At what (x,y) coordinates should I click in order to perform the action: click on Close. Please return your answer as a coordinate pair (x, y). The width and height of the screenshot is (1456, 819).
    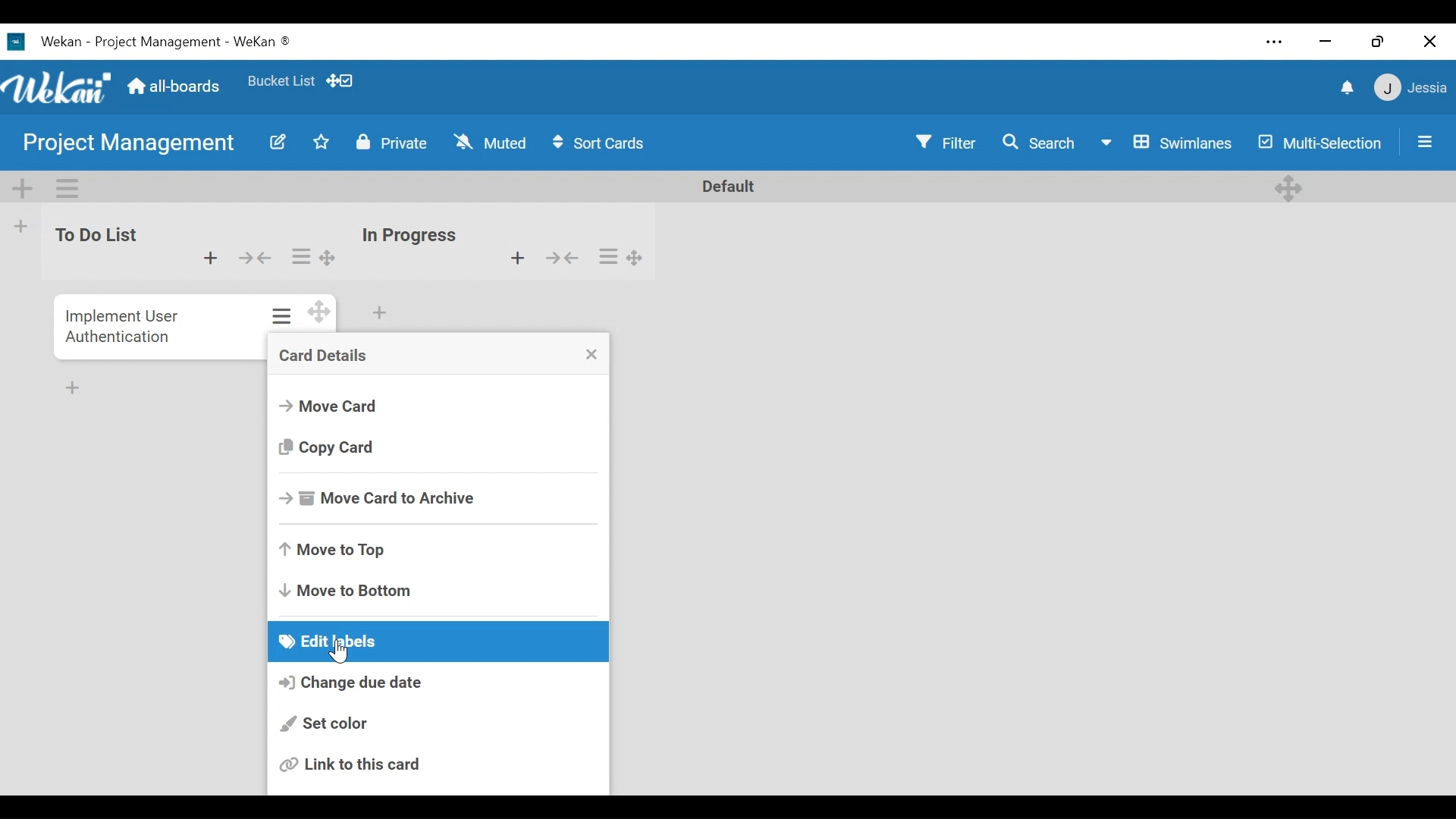
    Looking at the image, I should click on (1427, 42).